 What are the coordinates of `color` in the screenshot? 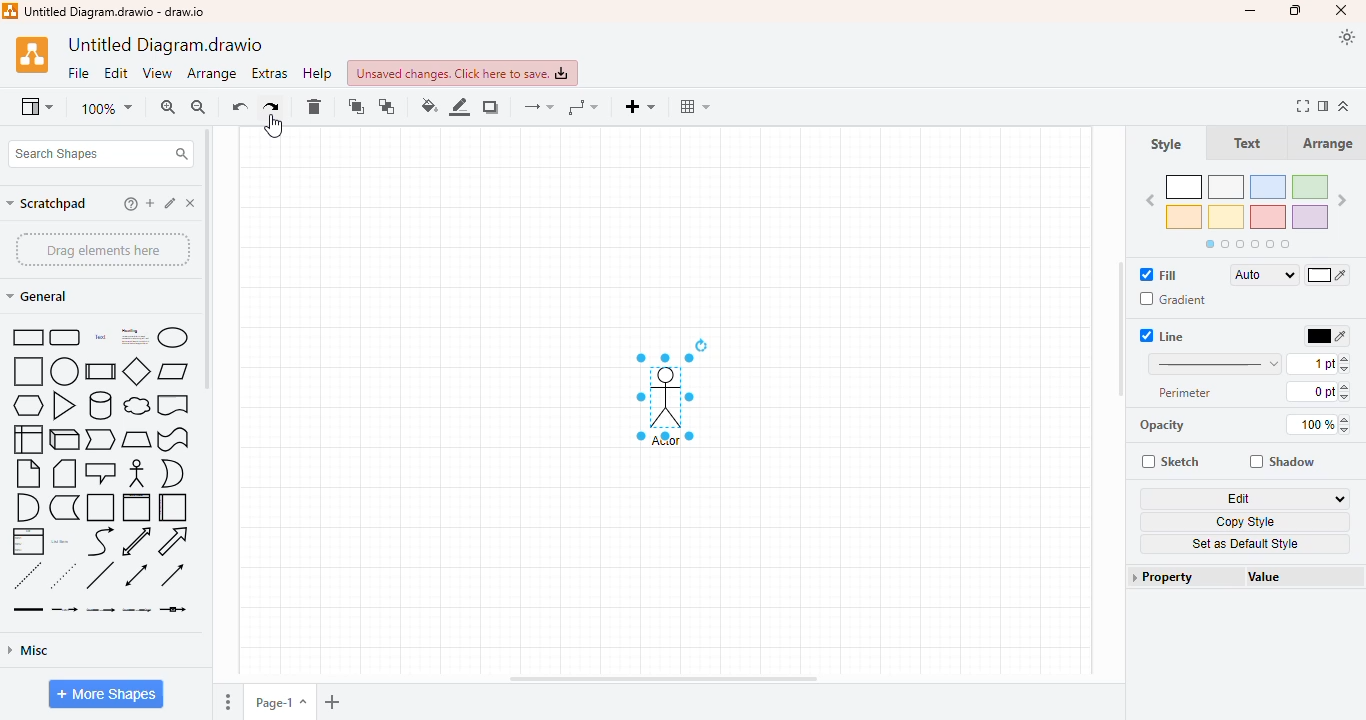 It's located at (1328, 276).